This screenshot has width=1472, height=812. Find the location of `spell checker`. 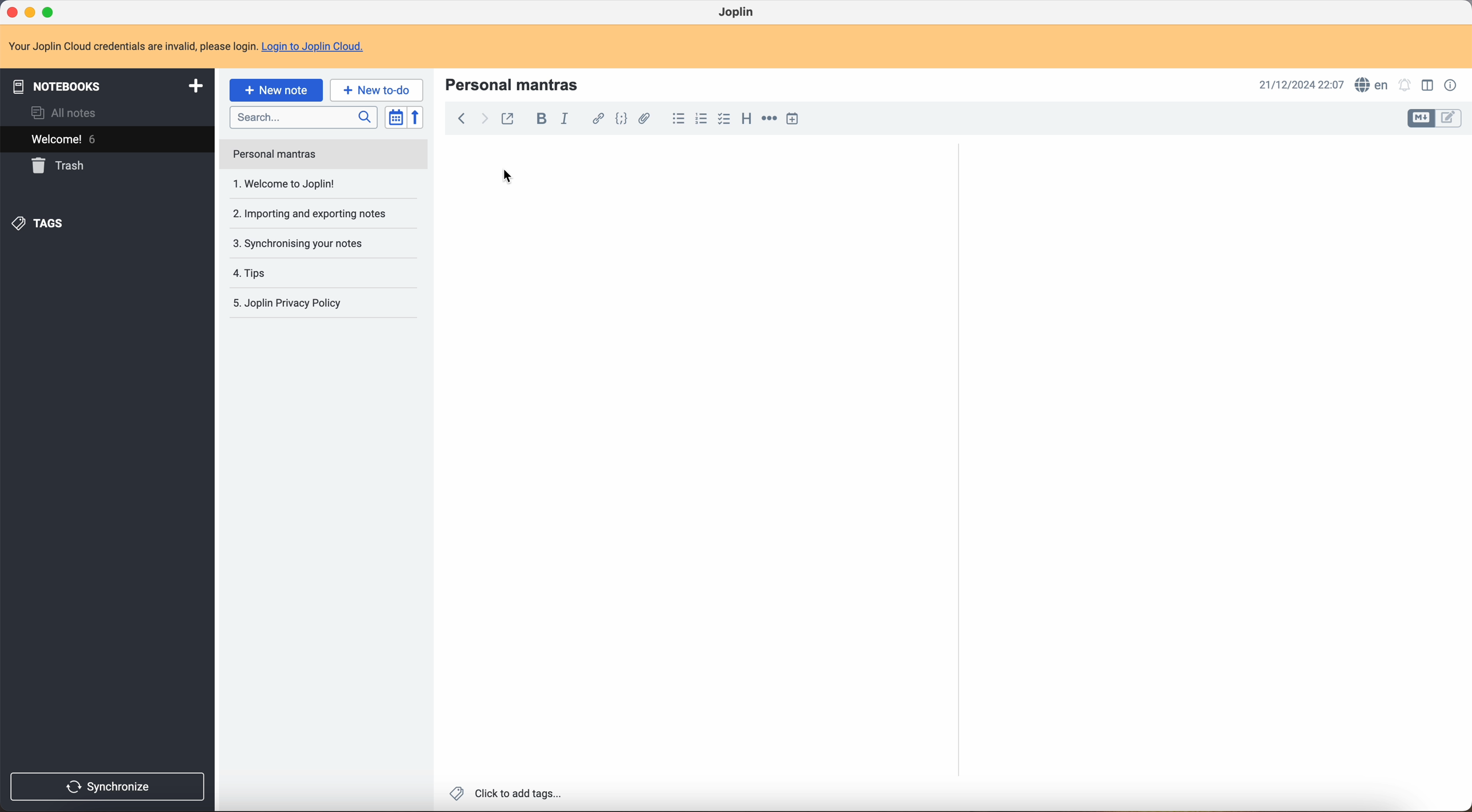

spell checker is located at coordinates (1373, 84).